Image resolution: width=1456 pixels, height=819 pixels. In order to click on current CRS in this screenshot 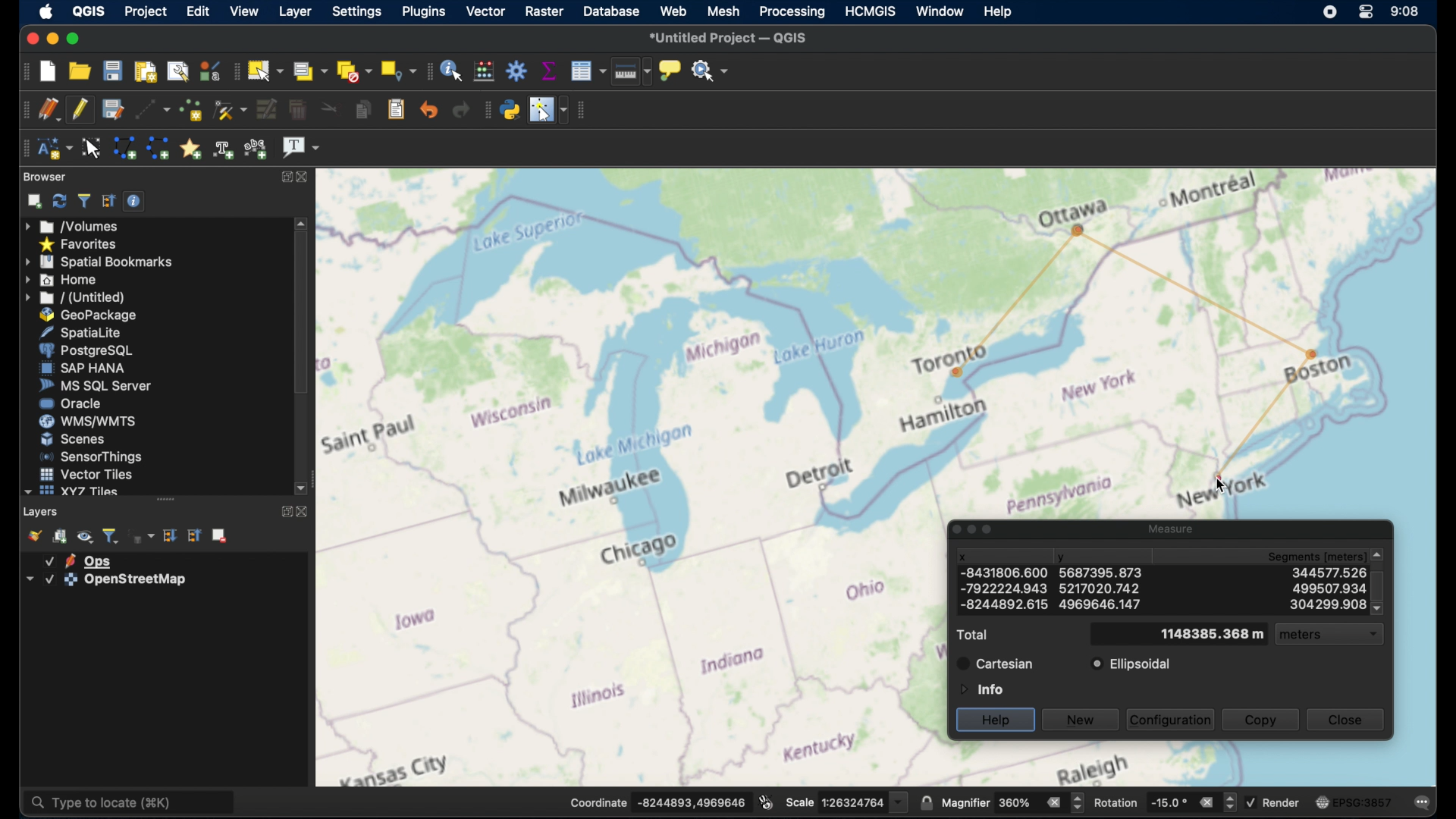, I will do `click(1354, 800)`.